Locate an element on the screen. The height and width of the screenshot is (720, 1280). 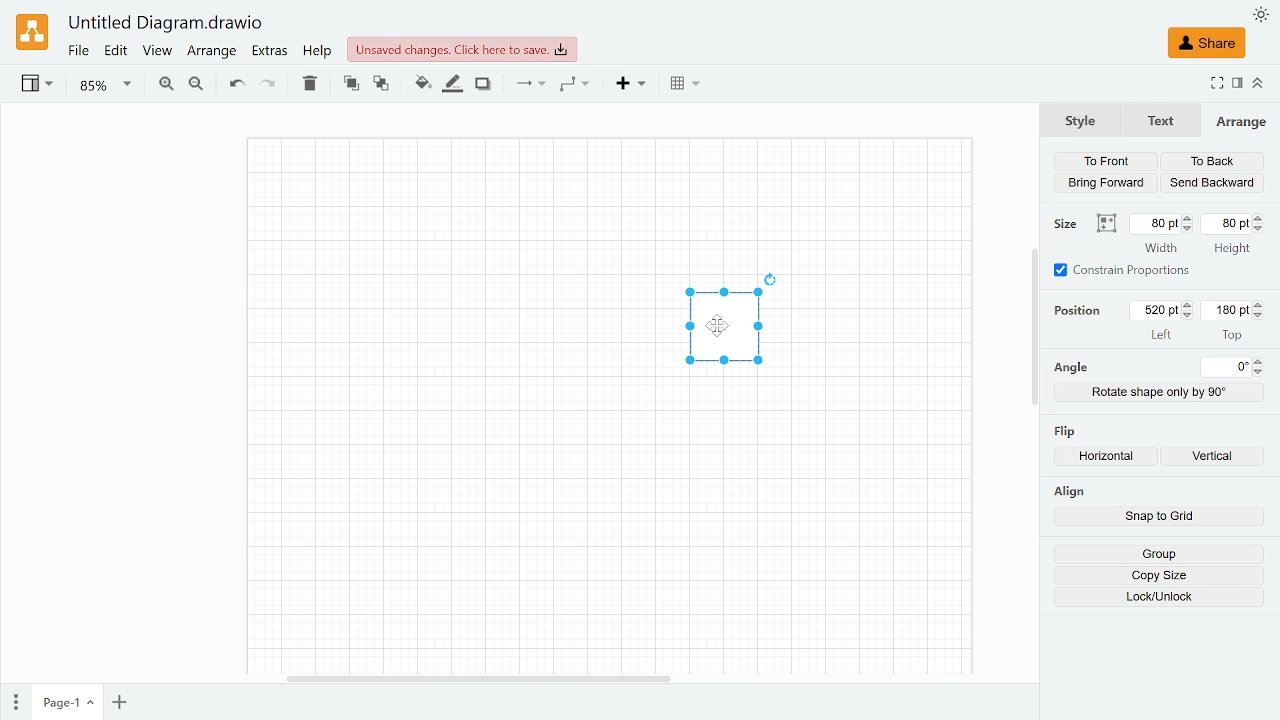
Decrease top is located at coordinates (1261, 316).